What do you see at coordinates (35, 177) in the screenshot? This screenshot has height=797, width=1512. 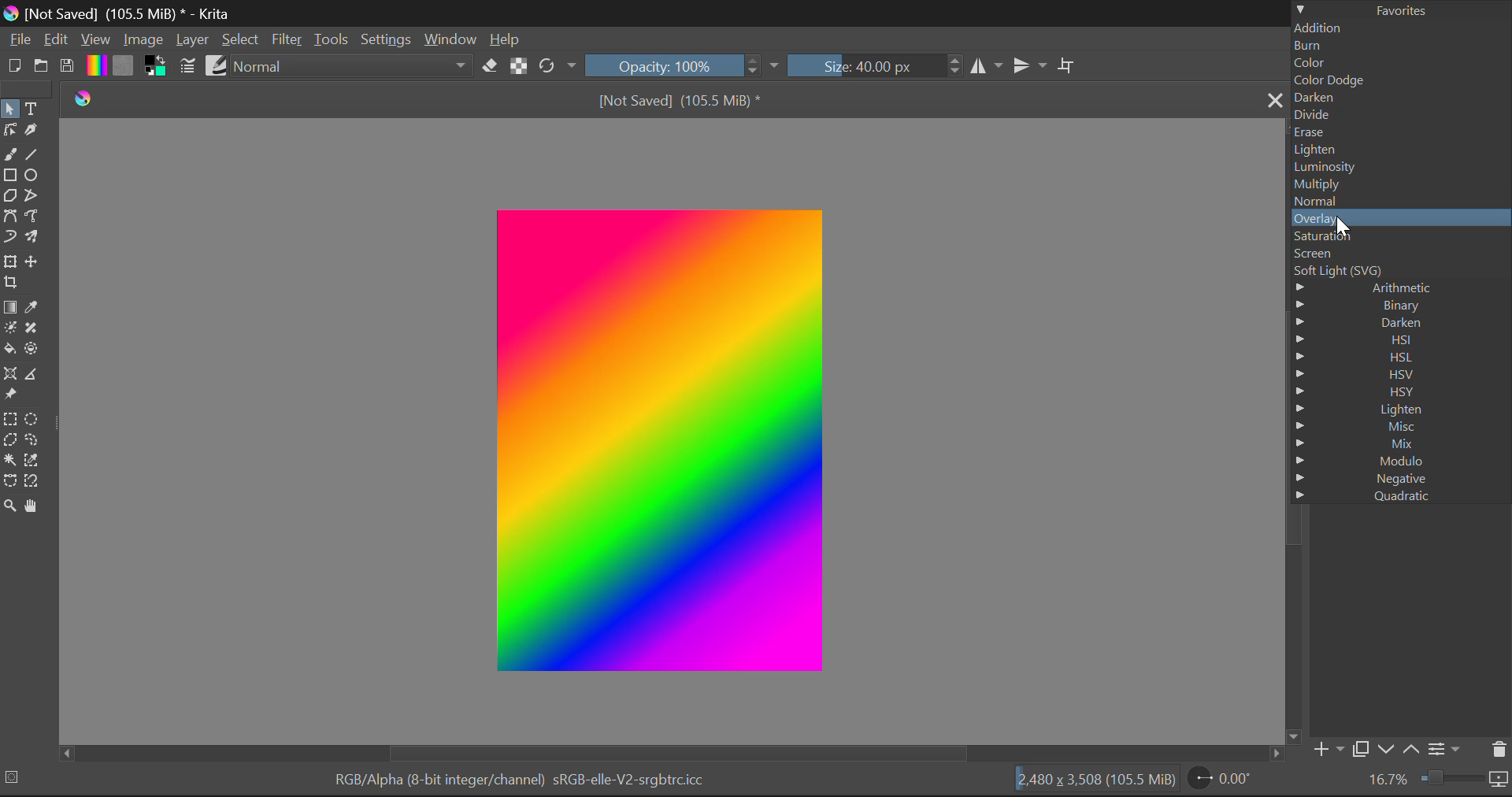 I see `Elipses` at bounding box center [35, 177].